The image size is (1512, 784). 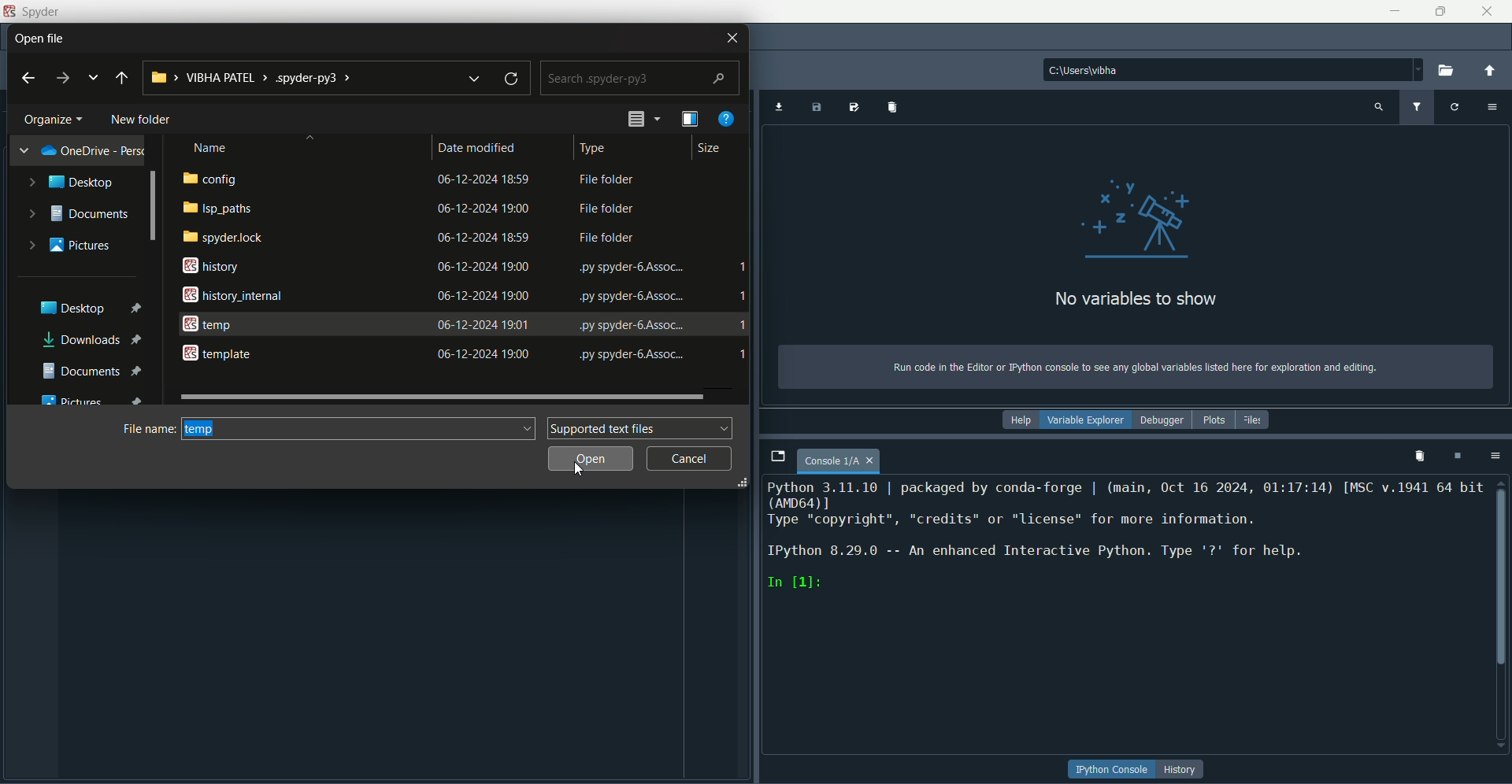 What do you see at coordinates (1417, 106) in the screenshot?
I see `filter variable` at bounding box center [1417, 106].